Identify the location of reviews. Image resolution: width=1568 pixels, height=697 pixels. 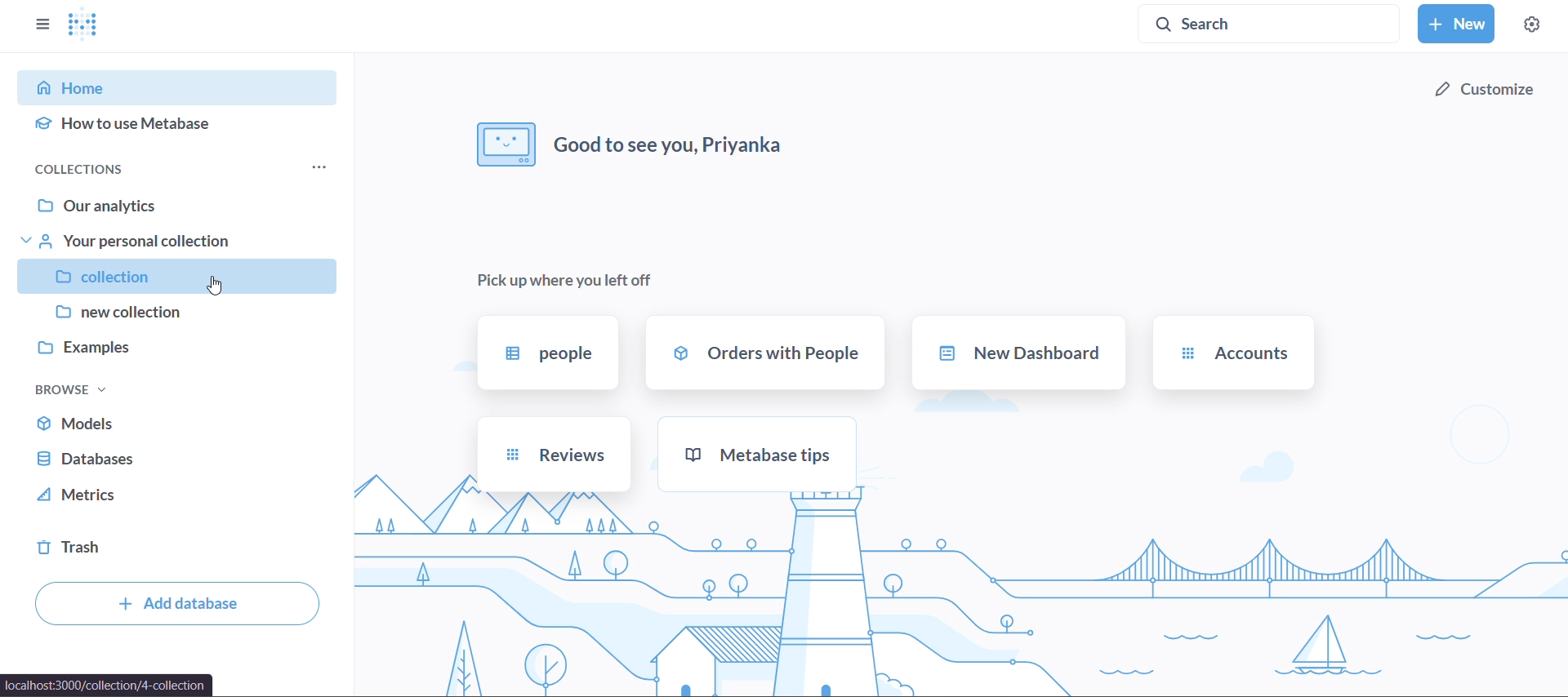
(551, 454).